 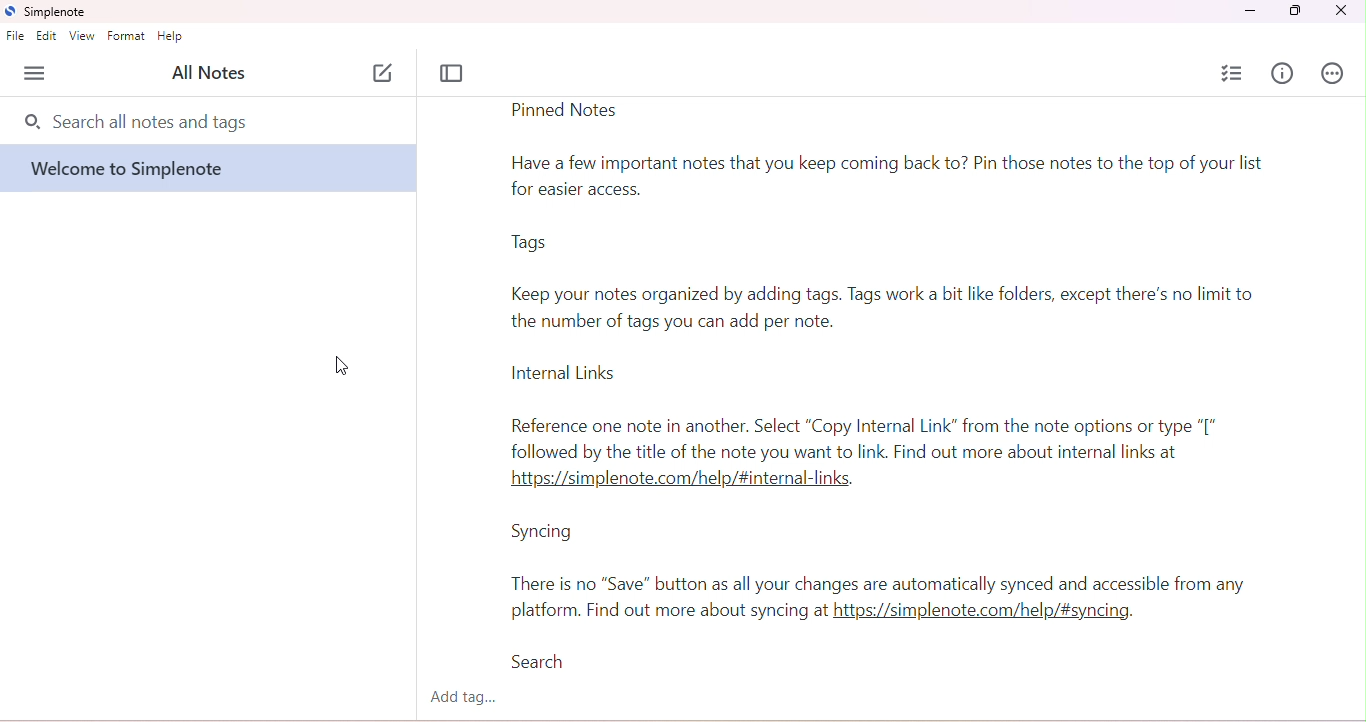 I want to click on file, so click(x=17, y=36).